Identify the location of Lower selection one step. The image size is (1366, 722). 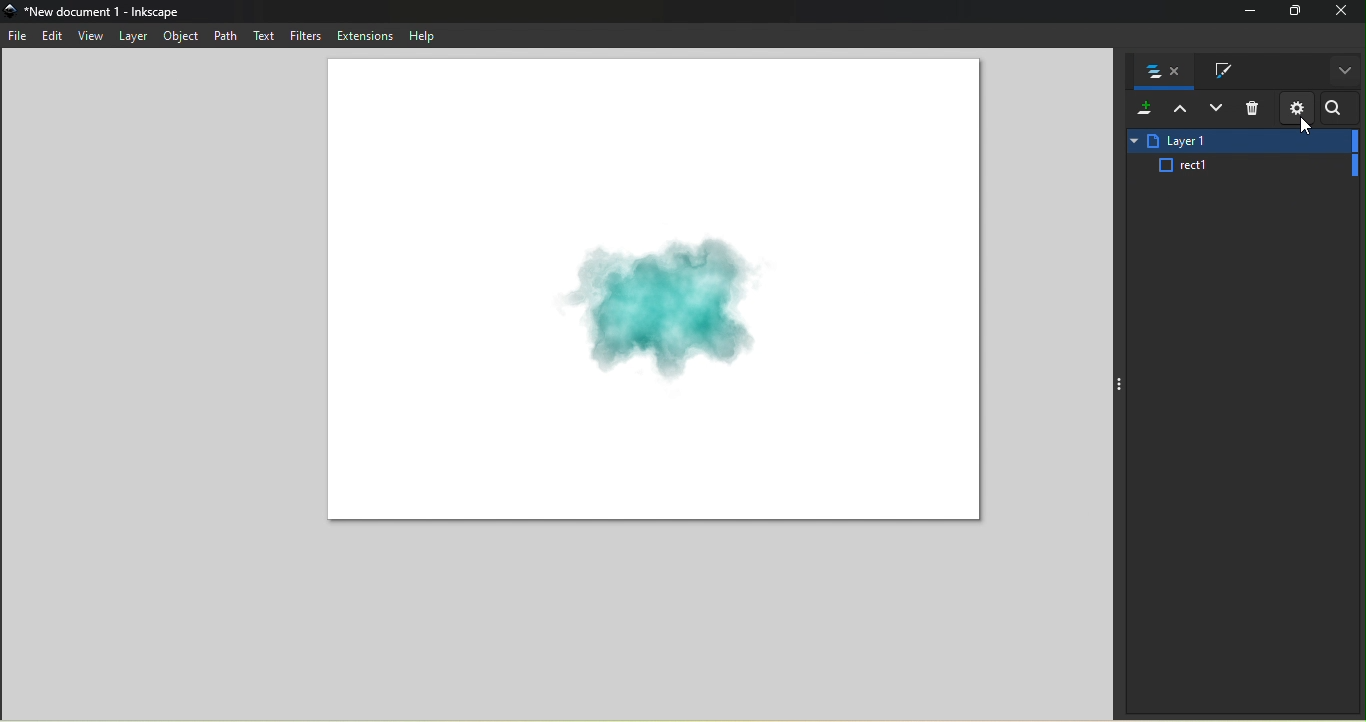
(1216, 110).